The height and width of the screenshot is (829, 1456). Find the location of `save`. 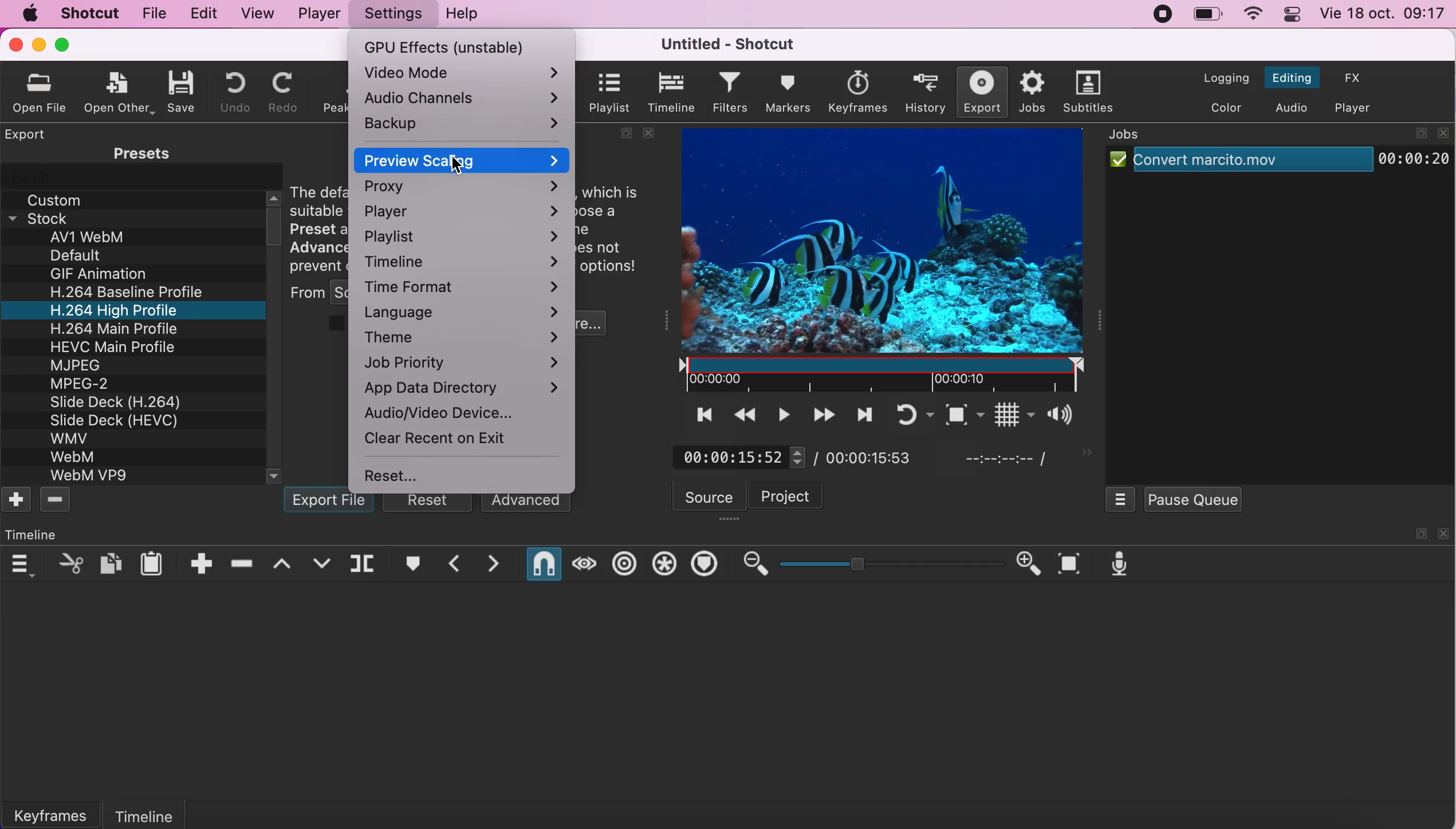

save is located at coordinates (182, 89).